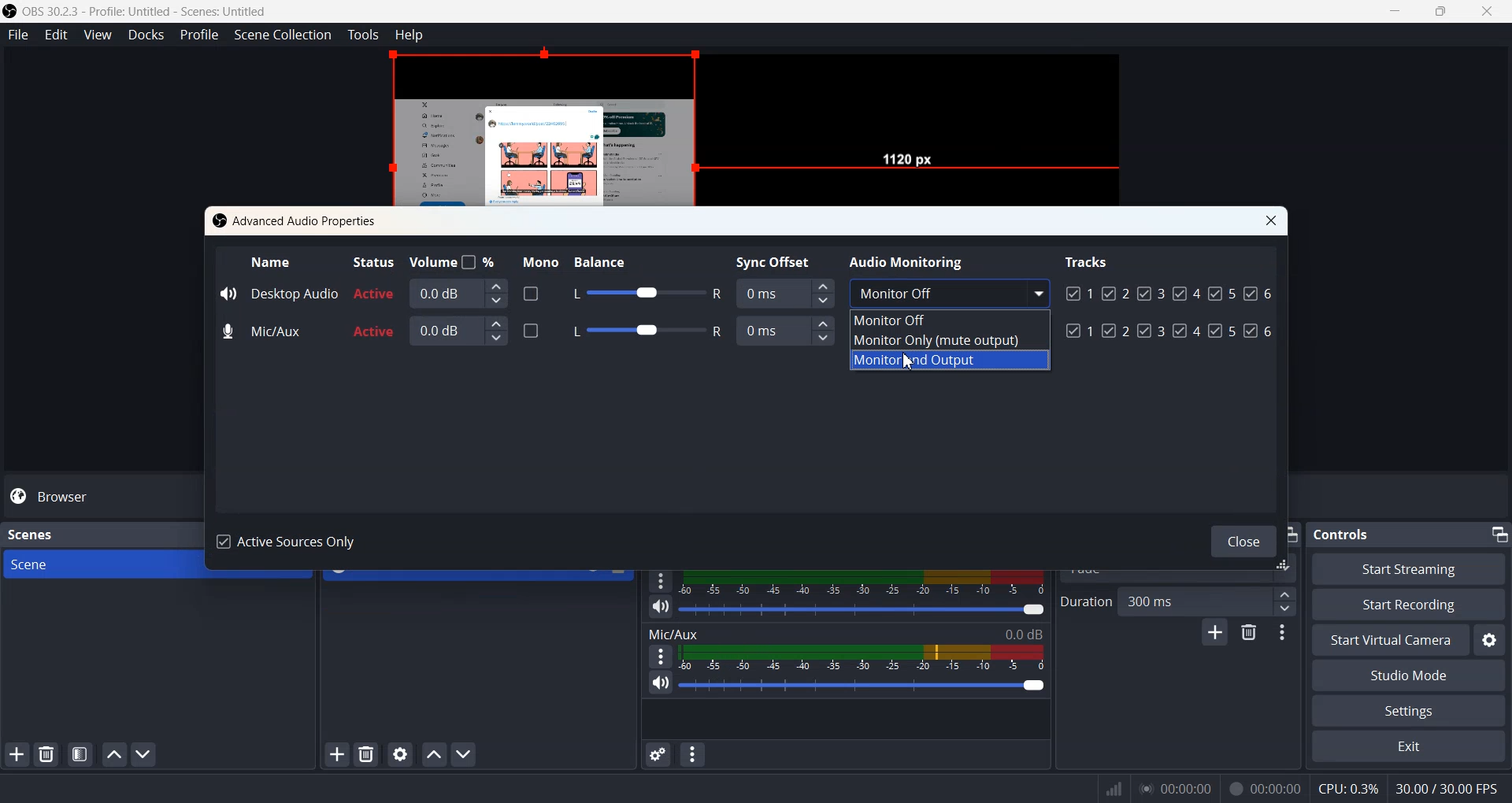 Image resolution: width=1512 pixels, height=803 pixels. I want to click on More, so click(658, 656).